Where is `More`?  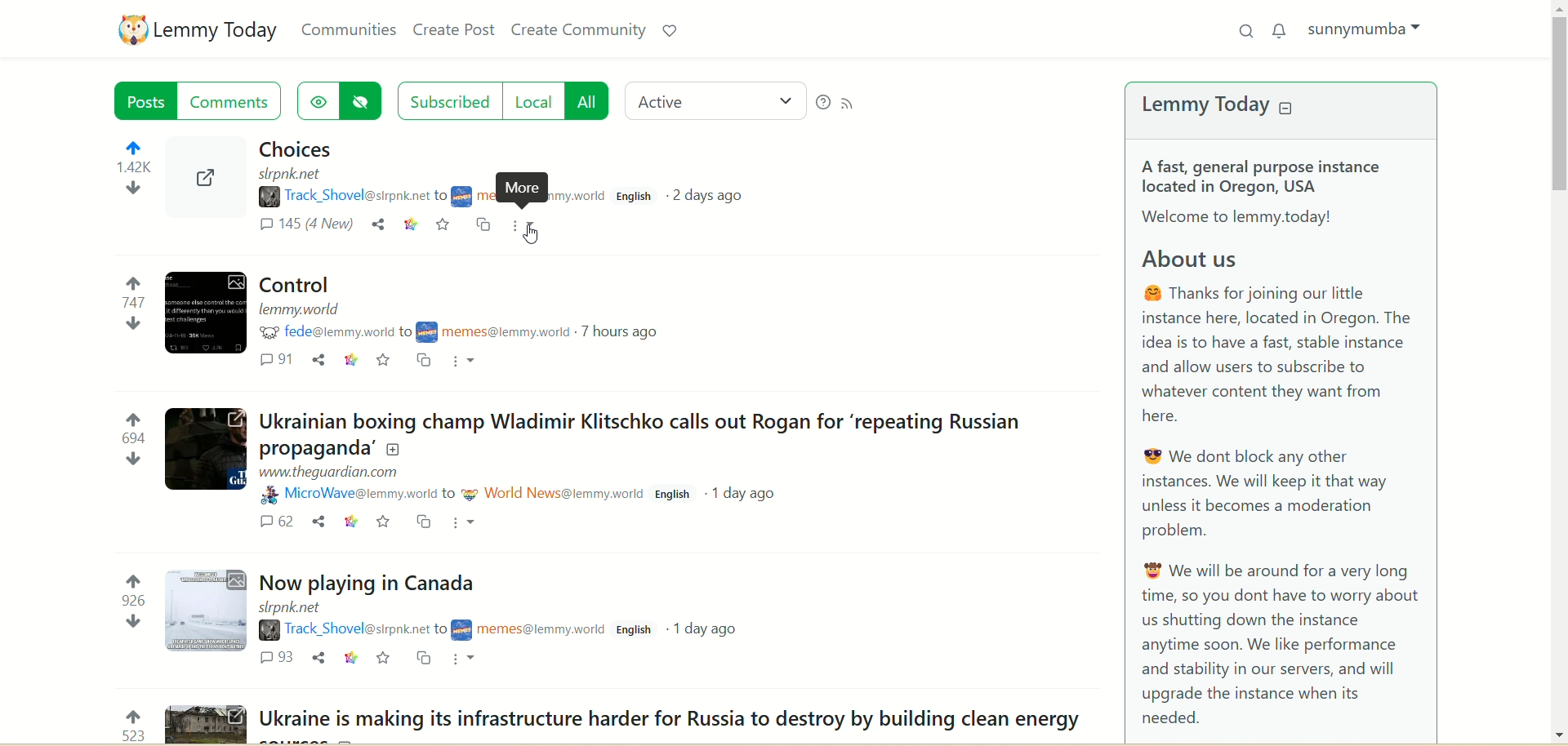 More is located at coordinates (469, 360).